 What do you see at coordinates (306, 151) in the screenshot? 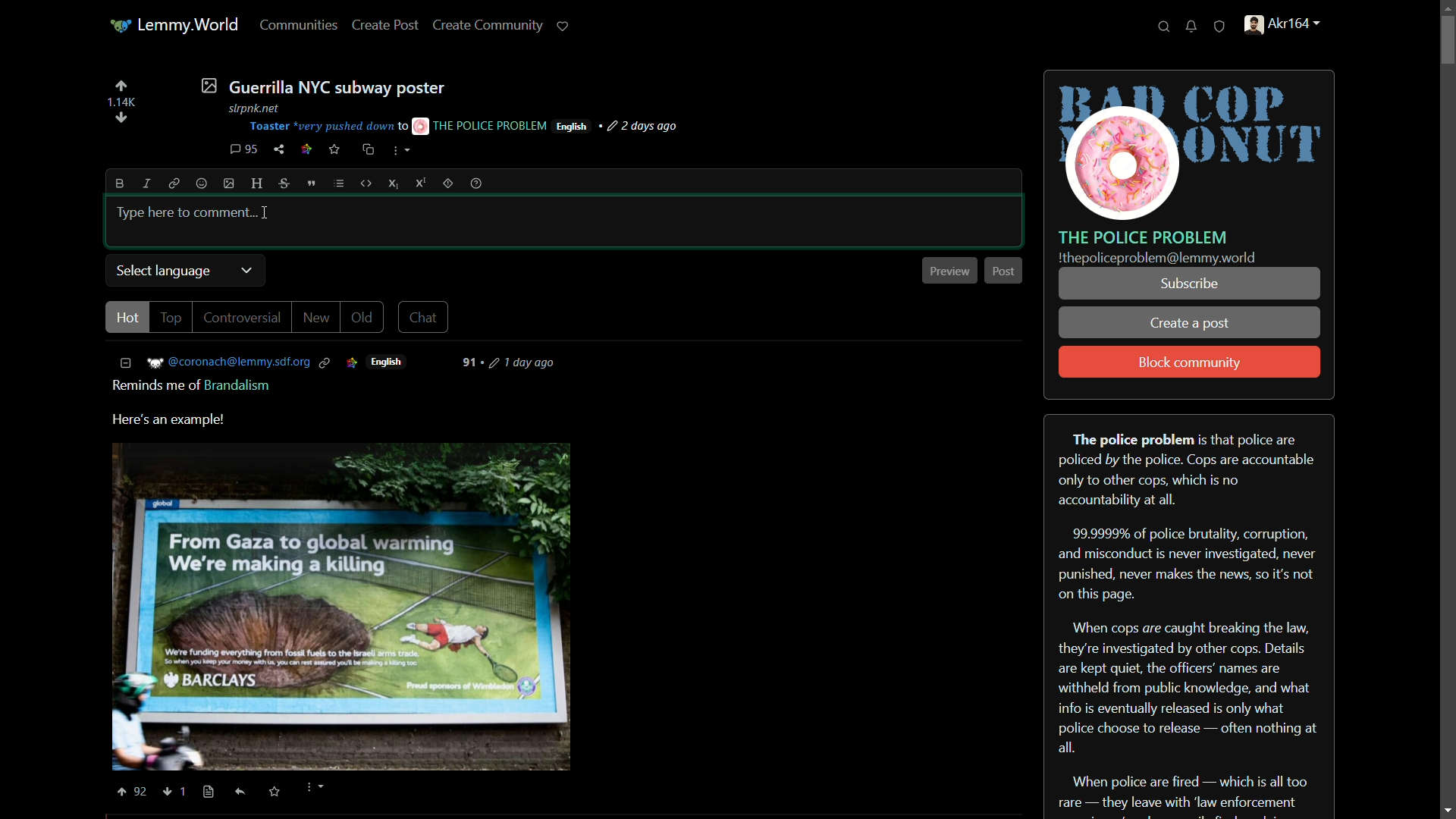
I see `link` at bounding box center [306, 151].